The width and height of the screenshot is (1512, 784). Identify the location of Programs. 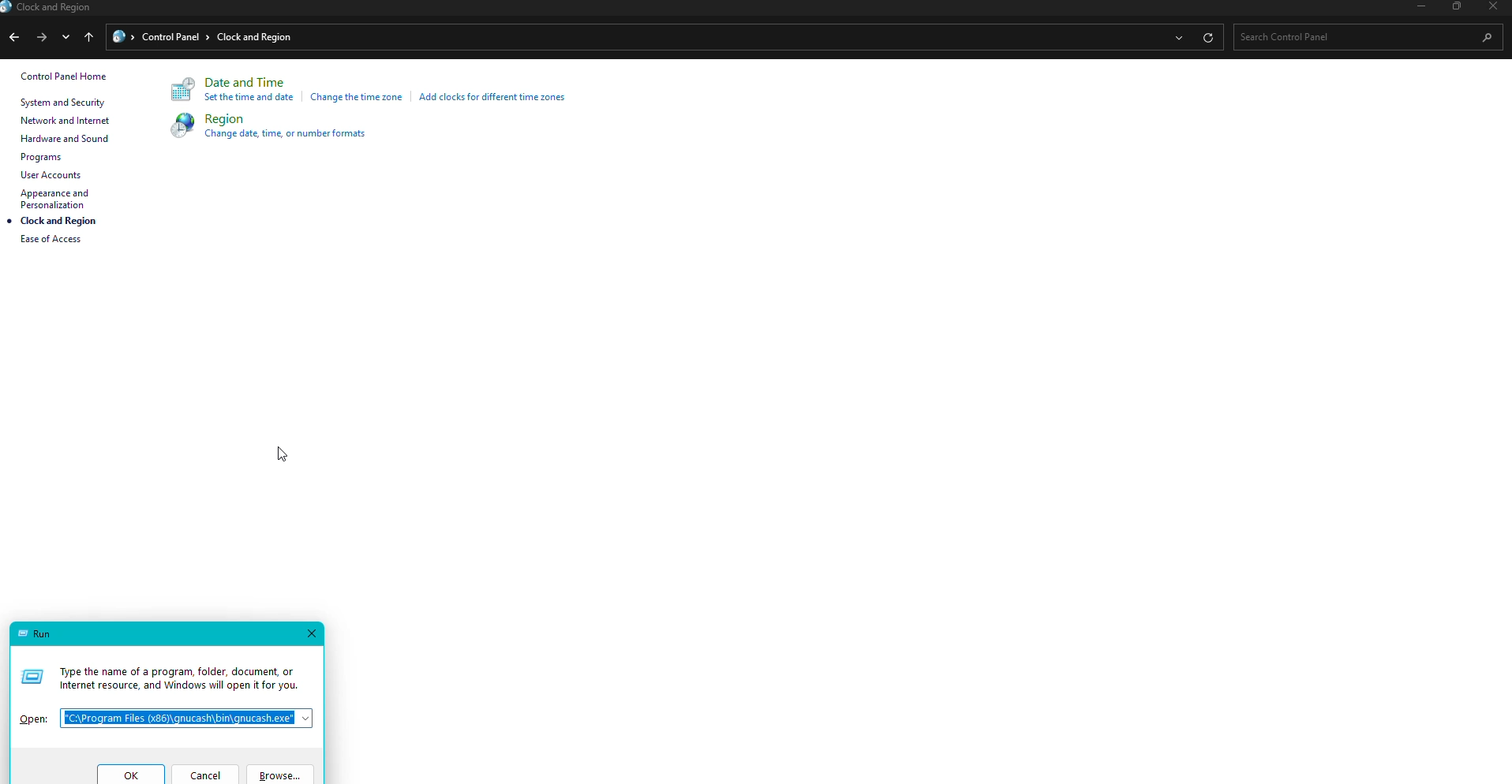
(43, 158).